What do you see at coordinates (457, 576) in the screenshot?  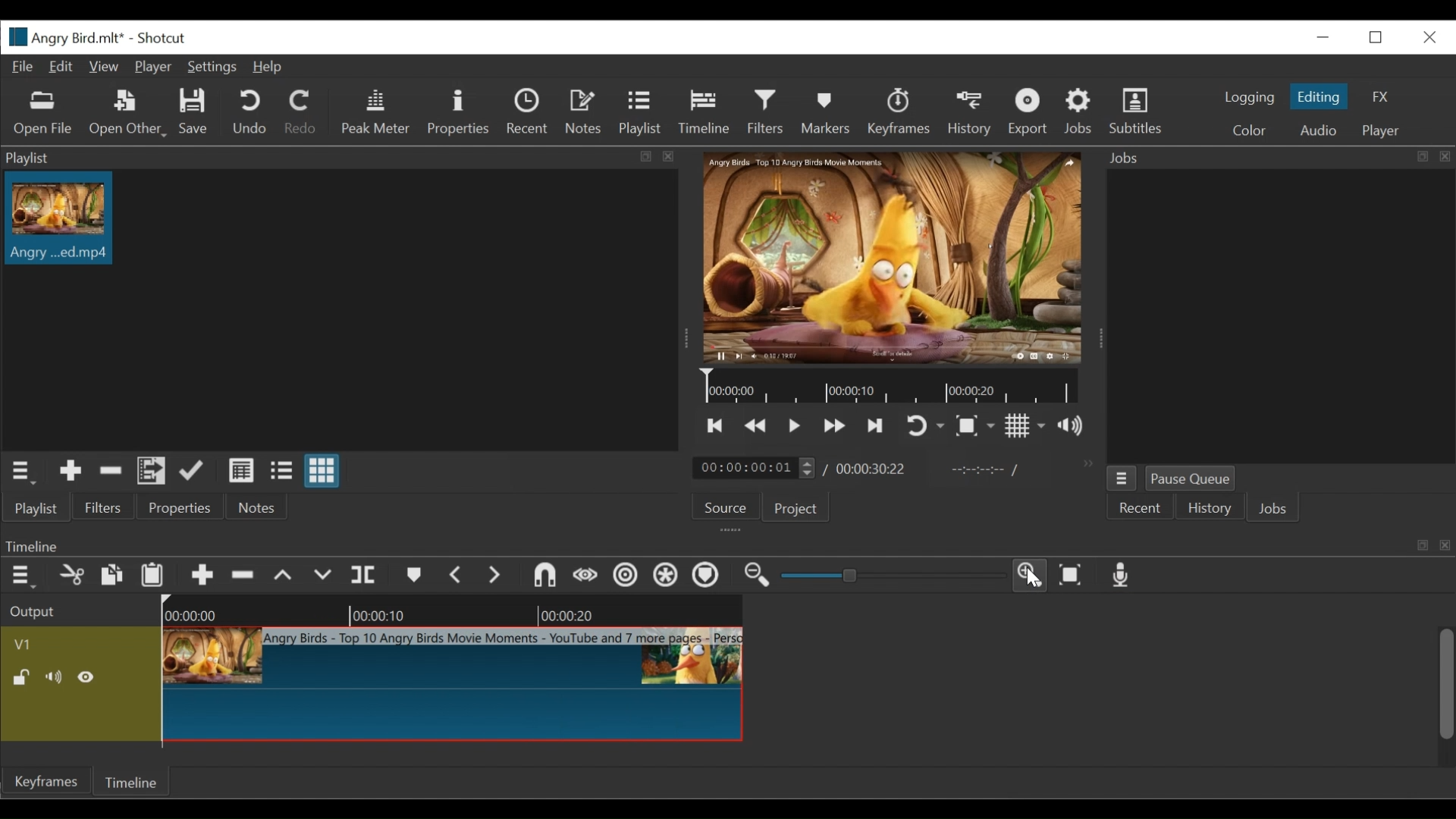 I see `Previous marker` at bounding box center [457, 576].